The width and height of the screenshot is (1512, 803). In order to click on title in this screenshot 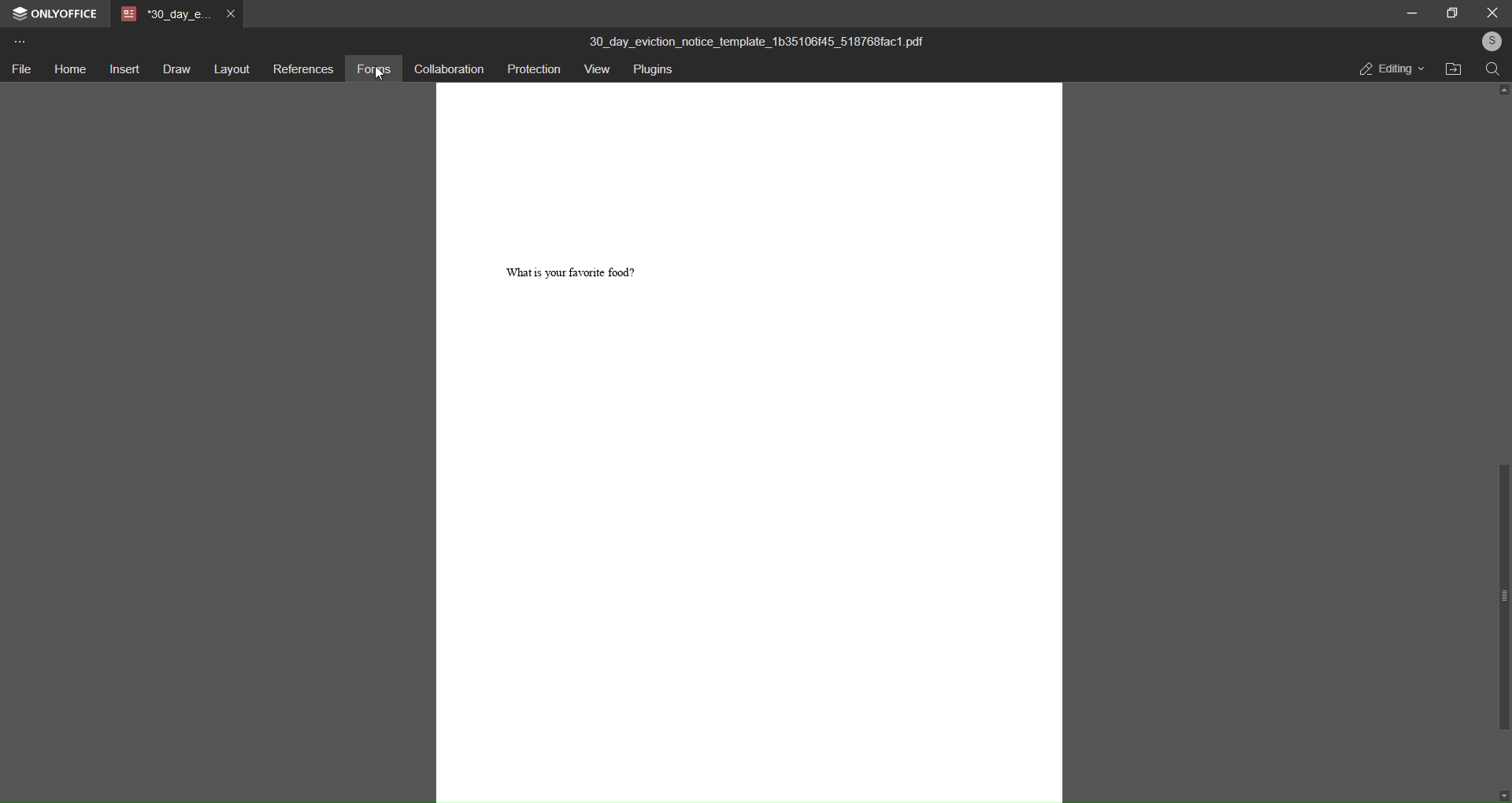, I will do `click(759, 38)`.